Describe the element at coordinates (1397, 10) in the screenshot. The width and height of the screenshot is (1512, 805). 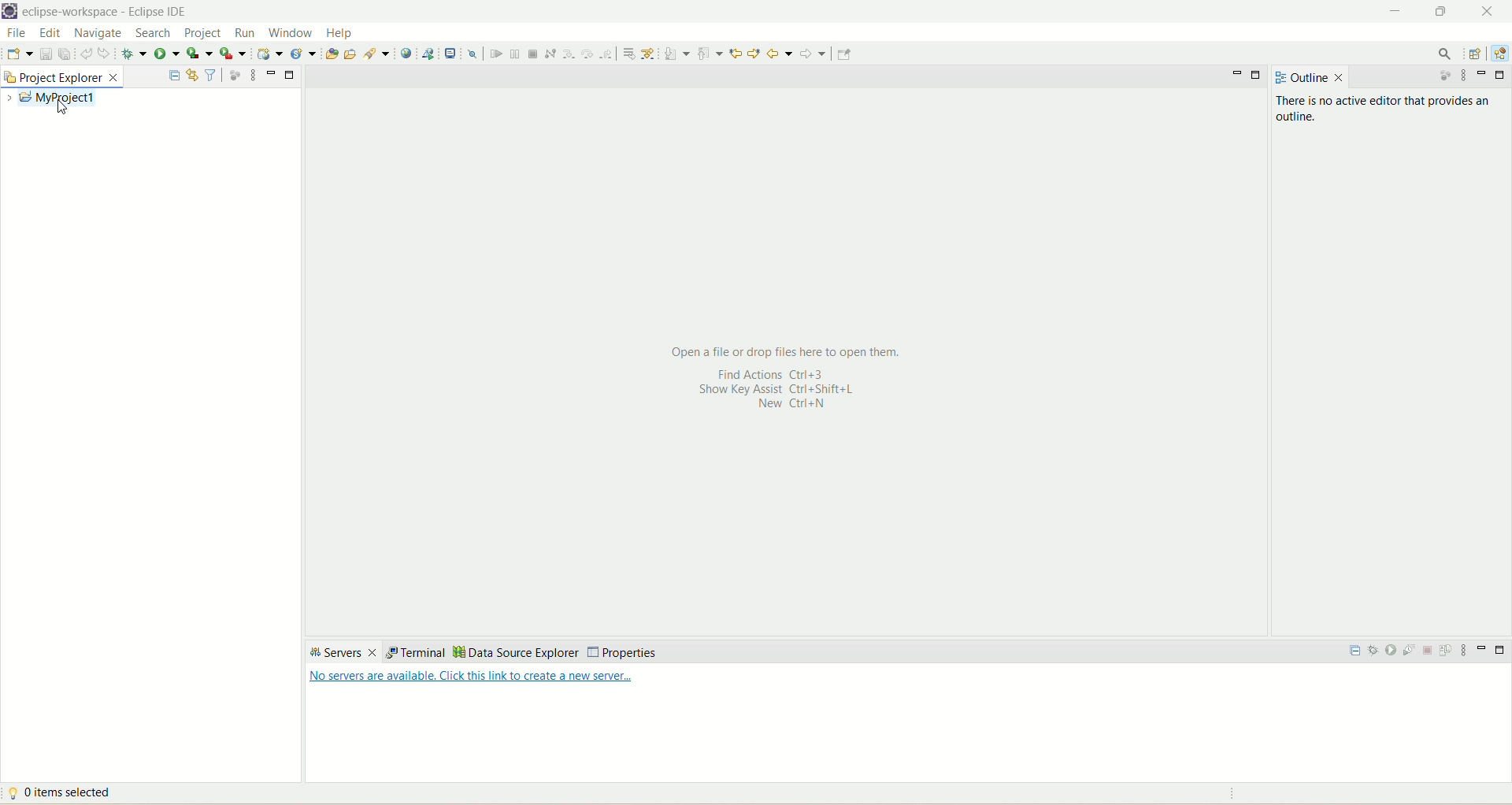
I see `minimize` at that location.